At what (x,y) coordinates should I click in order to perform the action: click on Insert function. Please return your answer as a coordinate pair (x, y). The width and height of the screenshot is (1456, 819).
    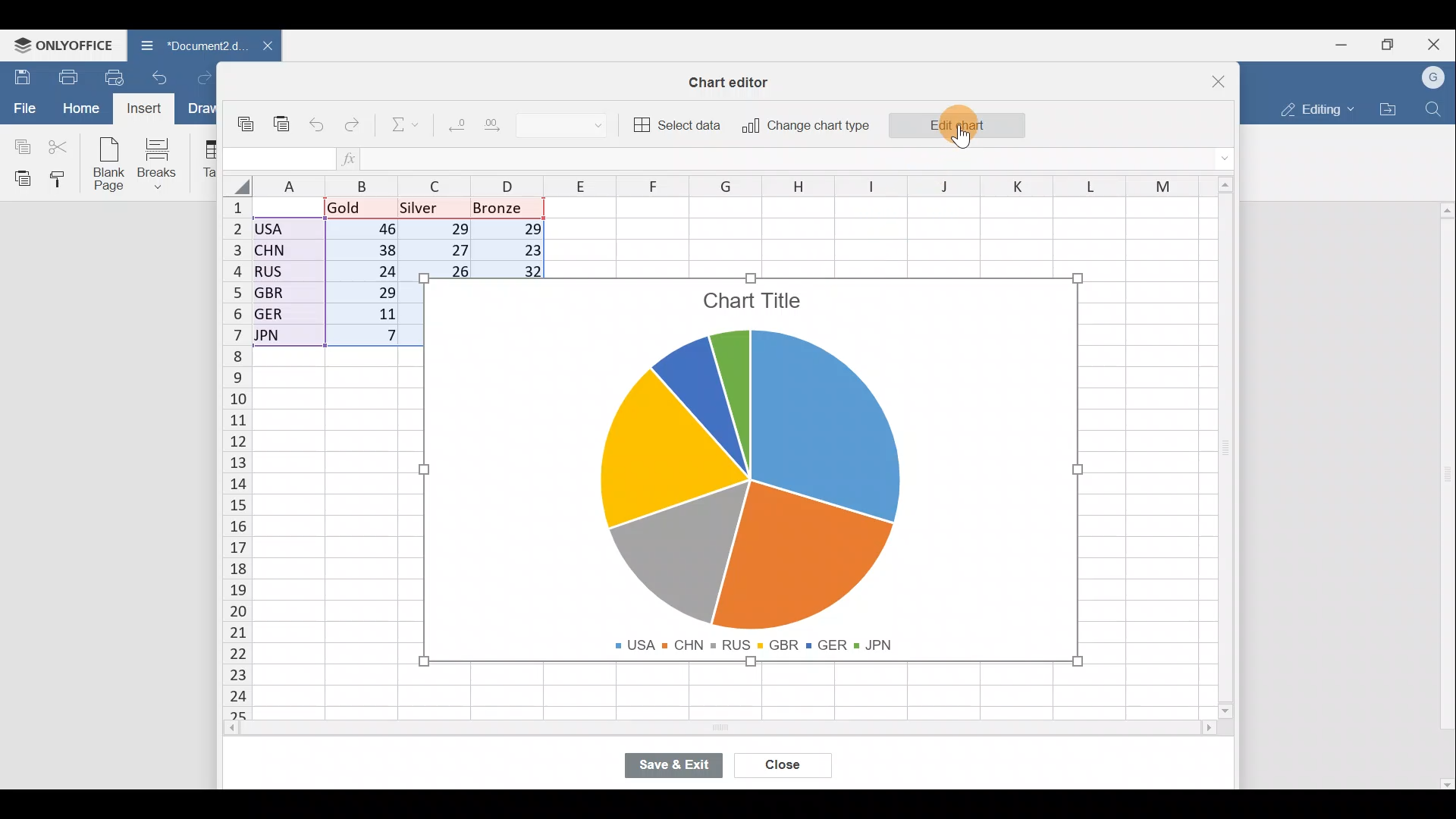
    Looking at the image, I should click on (359, 158).